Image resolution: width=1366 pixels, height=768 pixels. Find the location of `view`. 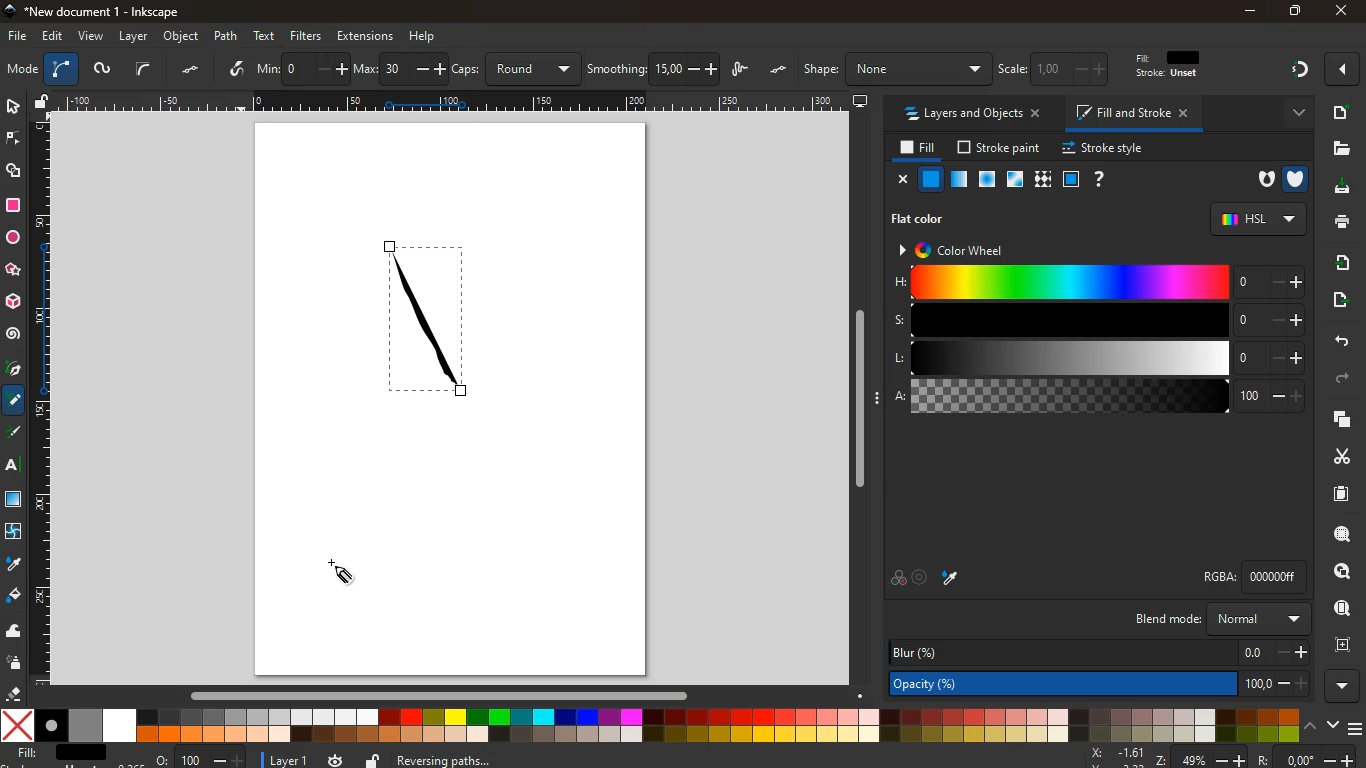

view is located at coordinates (92, 37).